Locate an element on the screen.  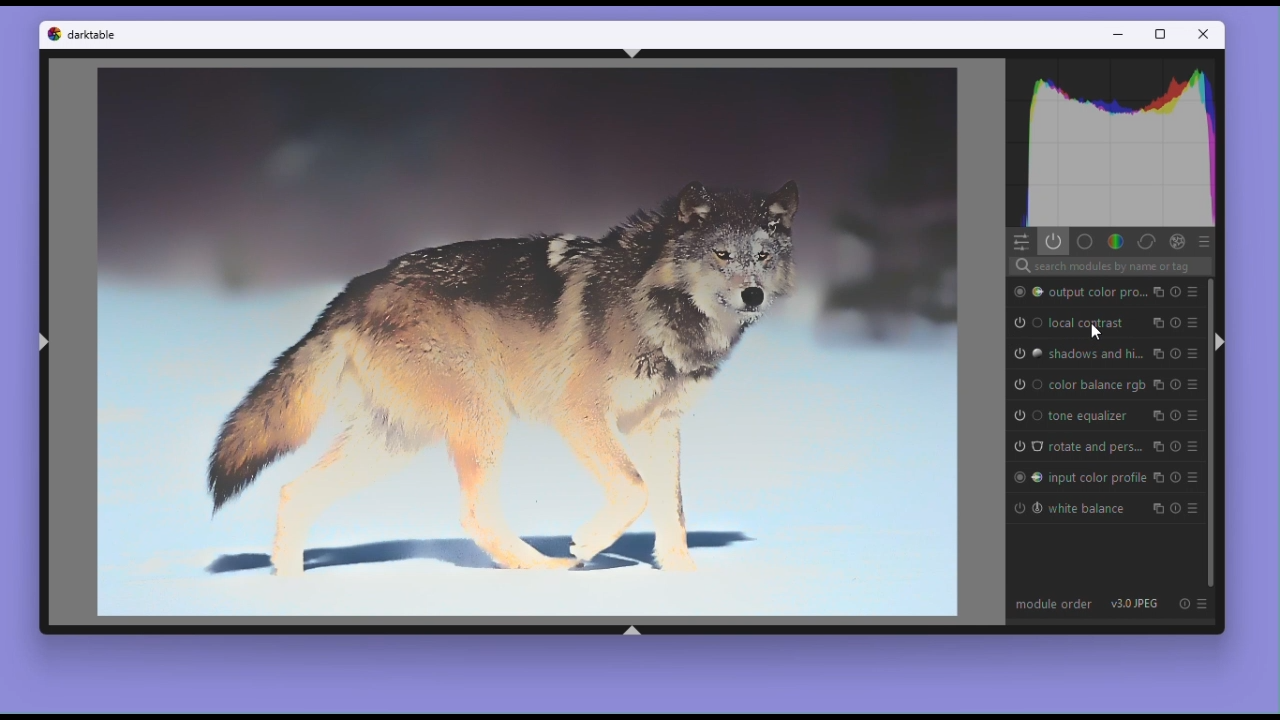
shift+ctrl+b is located at coordinates (632, 630).